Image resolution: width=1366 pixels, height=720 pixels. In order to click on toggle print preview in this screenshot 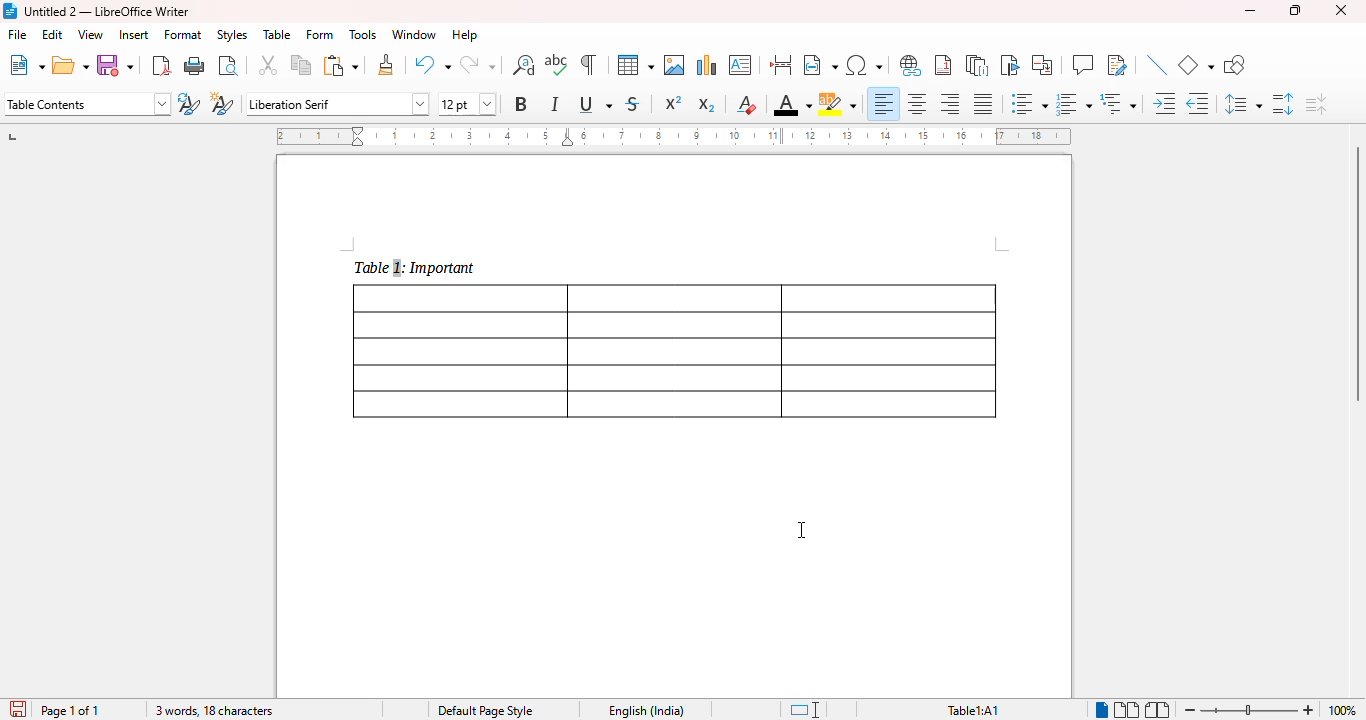, I will do `click(229, 66)`.